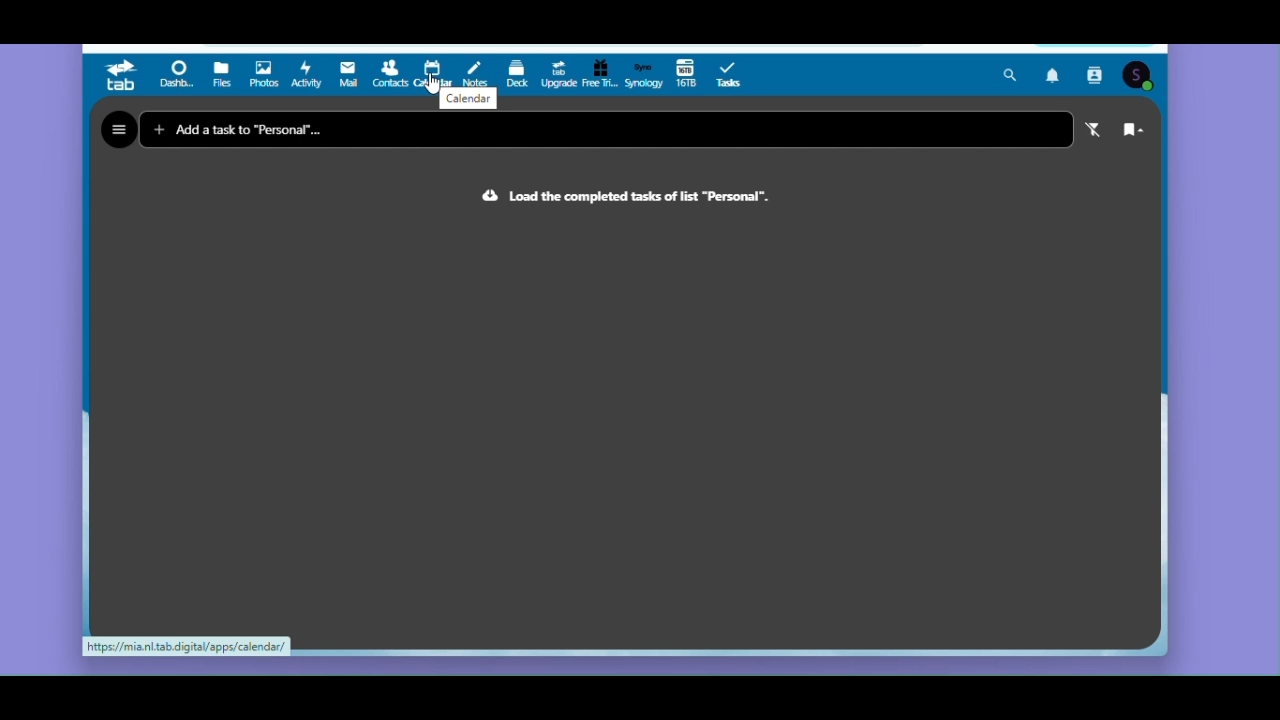  I want to click on Active filter, so click(1089, 131).